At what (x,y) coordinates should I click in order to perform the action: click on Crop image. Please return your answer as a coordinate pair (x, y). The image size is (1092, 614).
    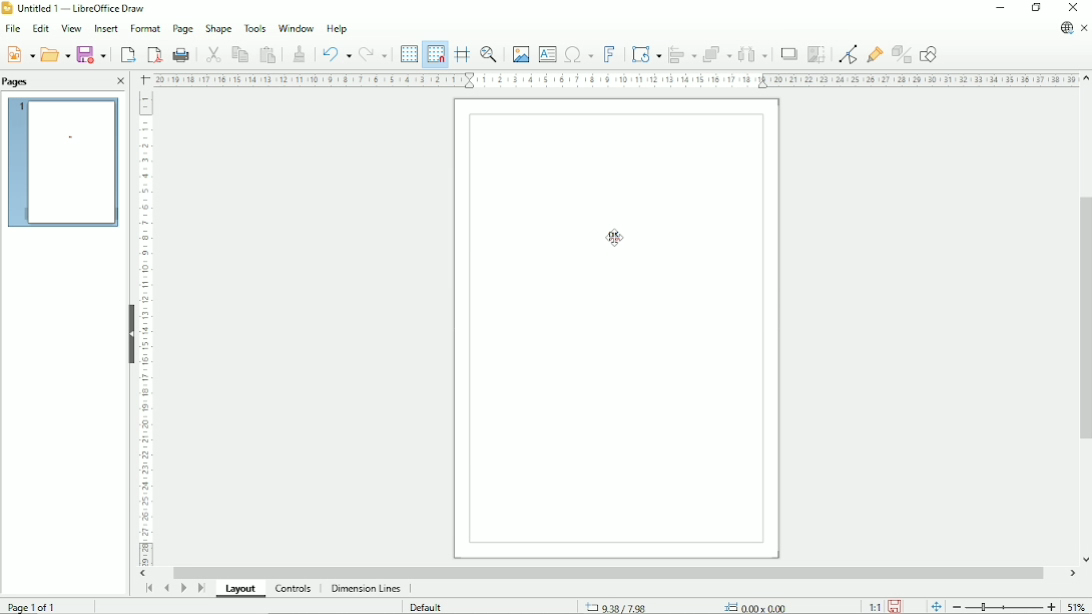
    Looking at the image, I should click on (819, 54).